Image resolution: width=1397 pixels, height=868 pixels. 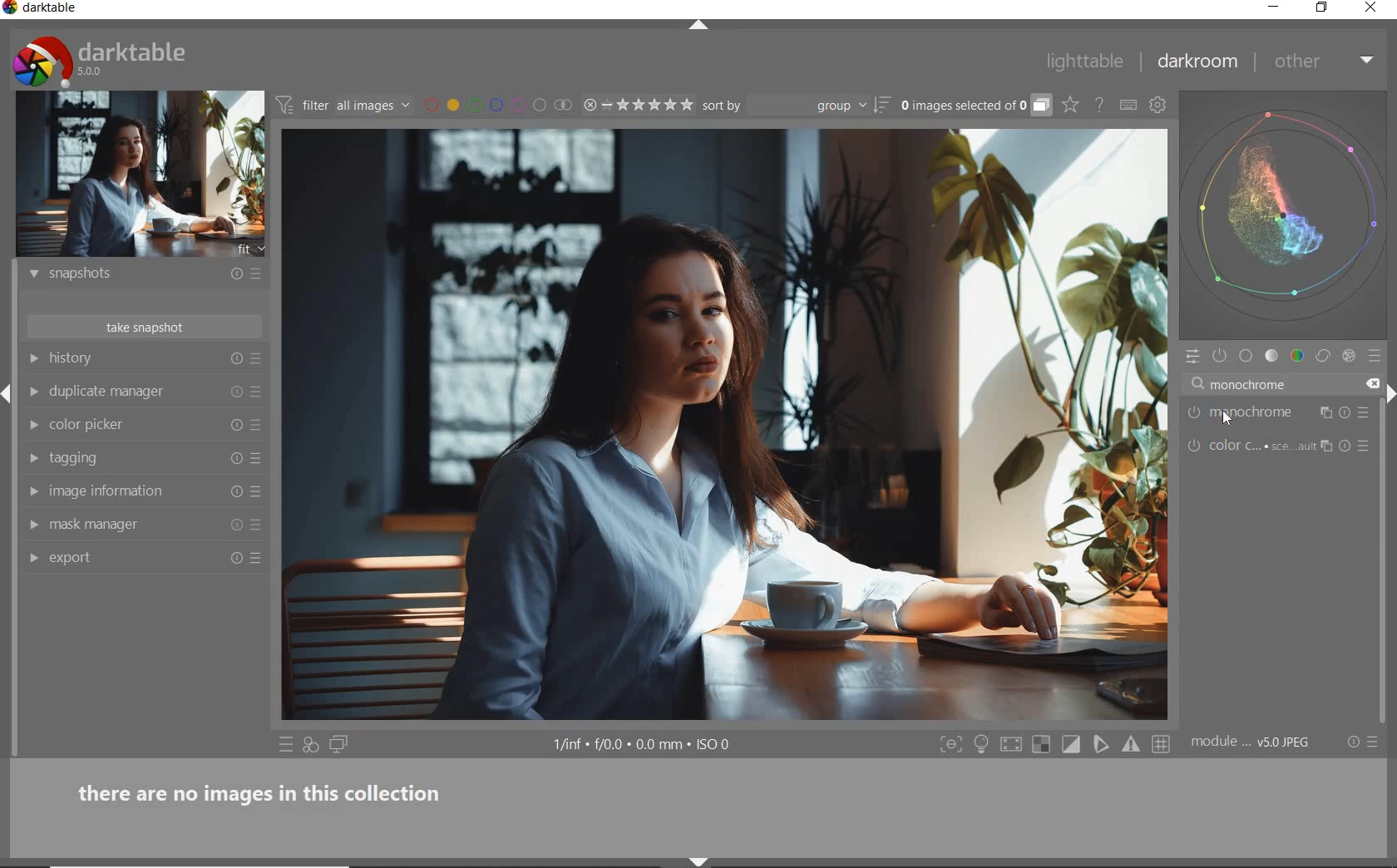 I want to click on reset, so click(x=236, y=360).